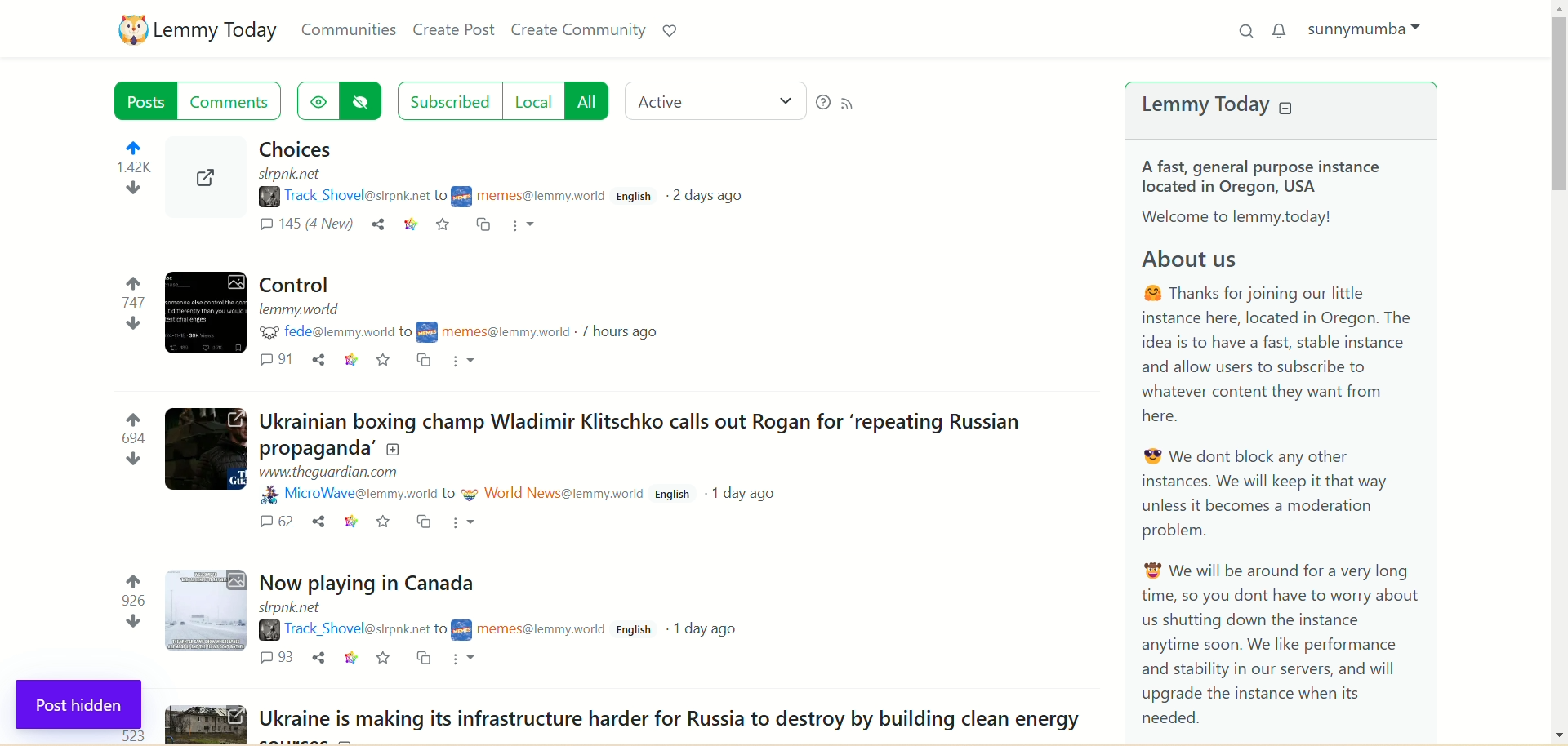 This screenshot has width=1568, height=746. Describe the element at coordinates (457, 32) in the screenshot. I see `create post` at that location.